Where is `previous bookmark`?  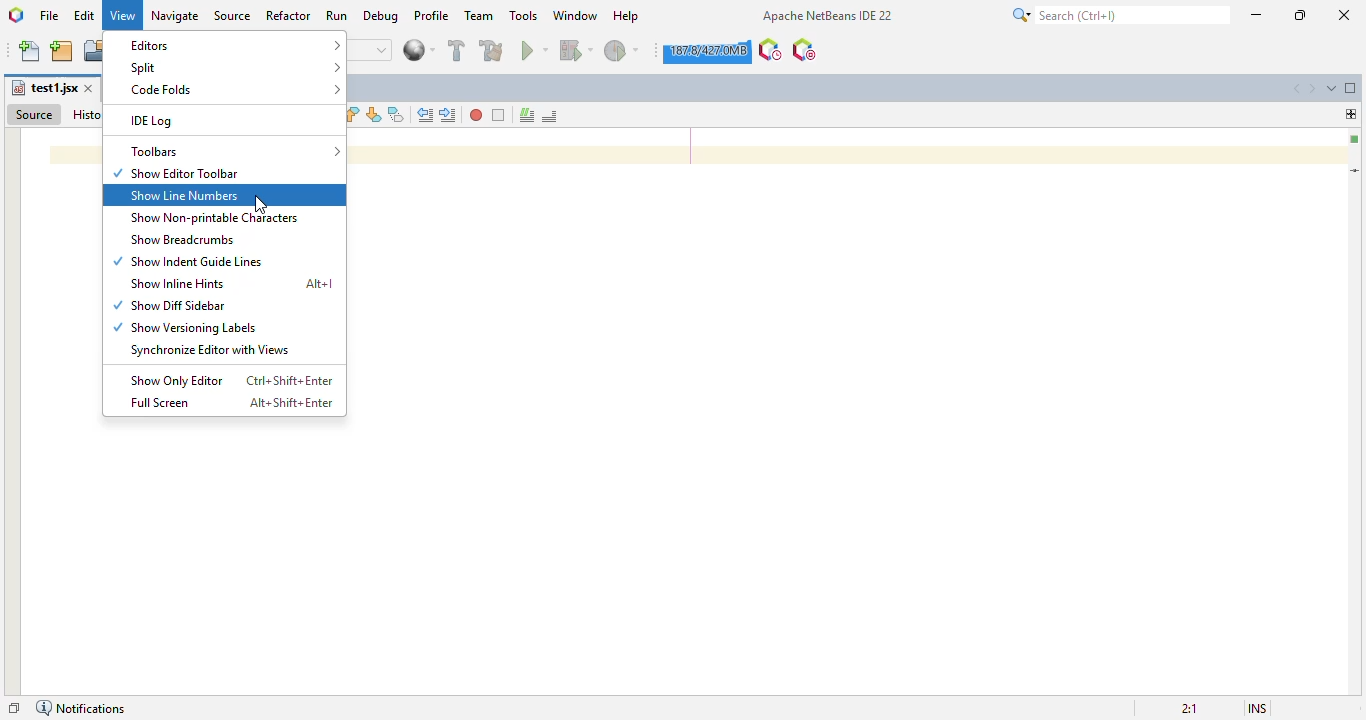 previous bookmark is located at coordinates (353, 114).